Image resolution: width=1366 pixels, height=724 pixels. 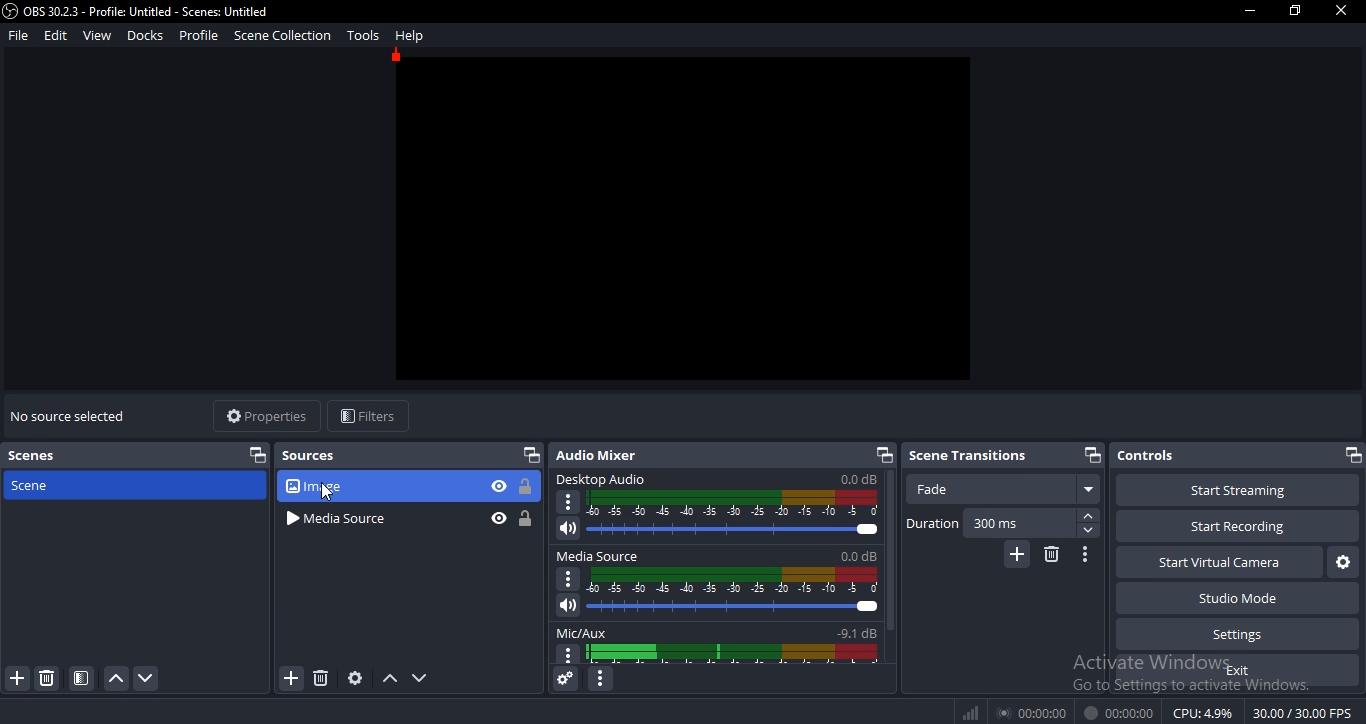 What do you see at coordinates (1229, 527) in the screenshot?
I see `start recording` at bounding box center [1229, 527].